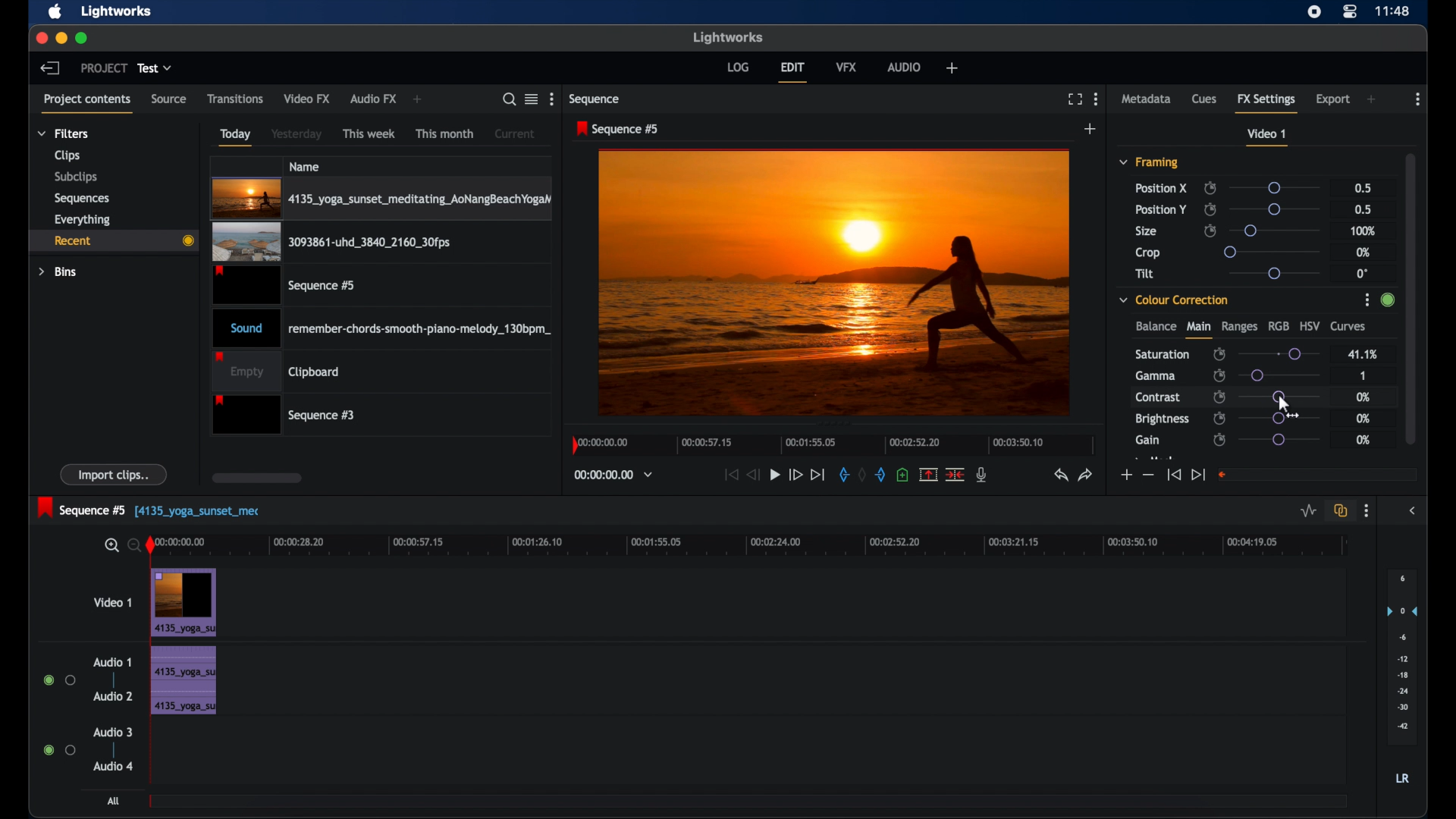  What do you see at coordinates (113, 240) in the screenshot?
I see `recent` at bounding box center [113, 240].